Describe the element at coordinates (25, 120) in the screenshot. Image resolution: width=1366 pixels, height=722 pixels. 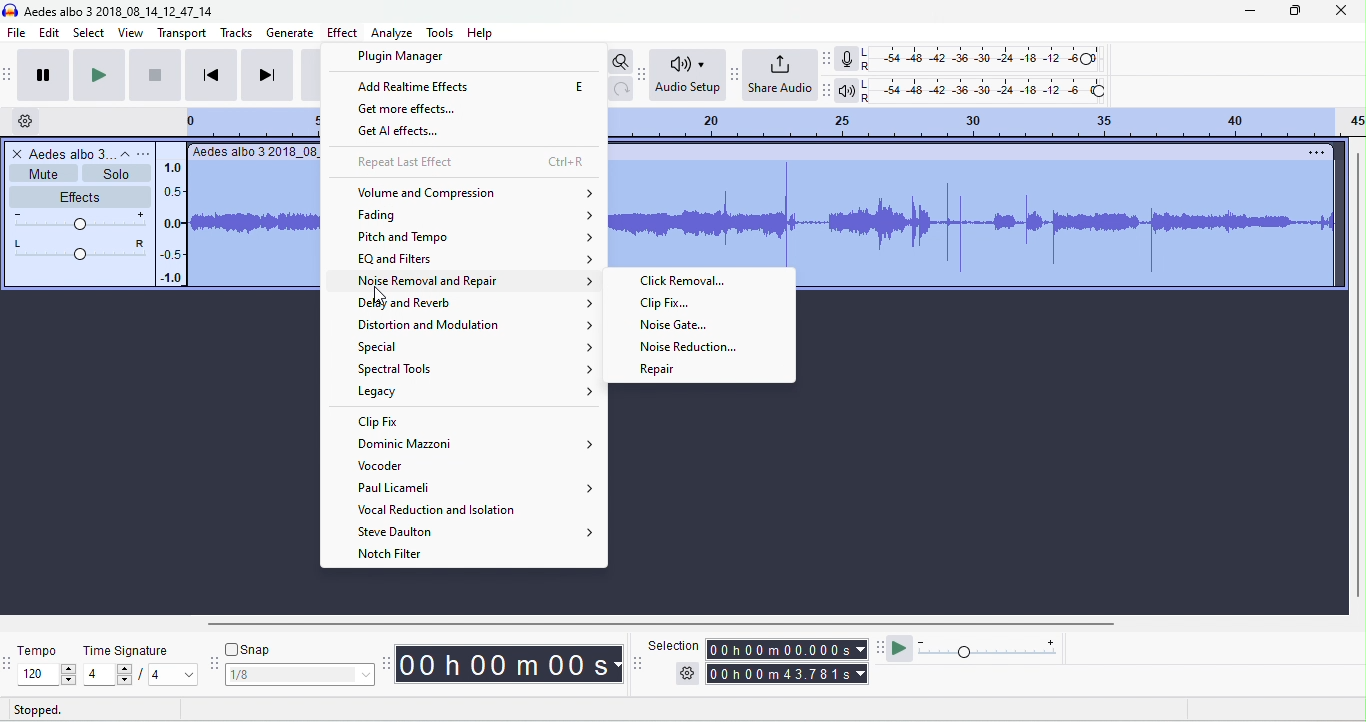
I see `timeline options` at that location.